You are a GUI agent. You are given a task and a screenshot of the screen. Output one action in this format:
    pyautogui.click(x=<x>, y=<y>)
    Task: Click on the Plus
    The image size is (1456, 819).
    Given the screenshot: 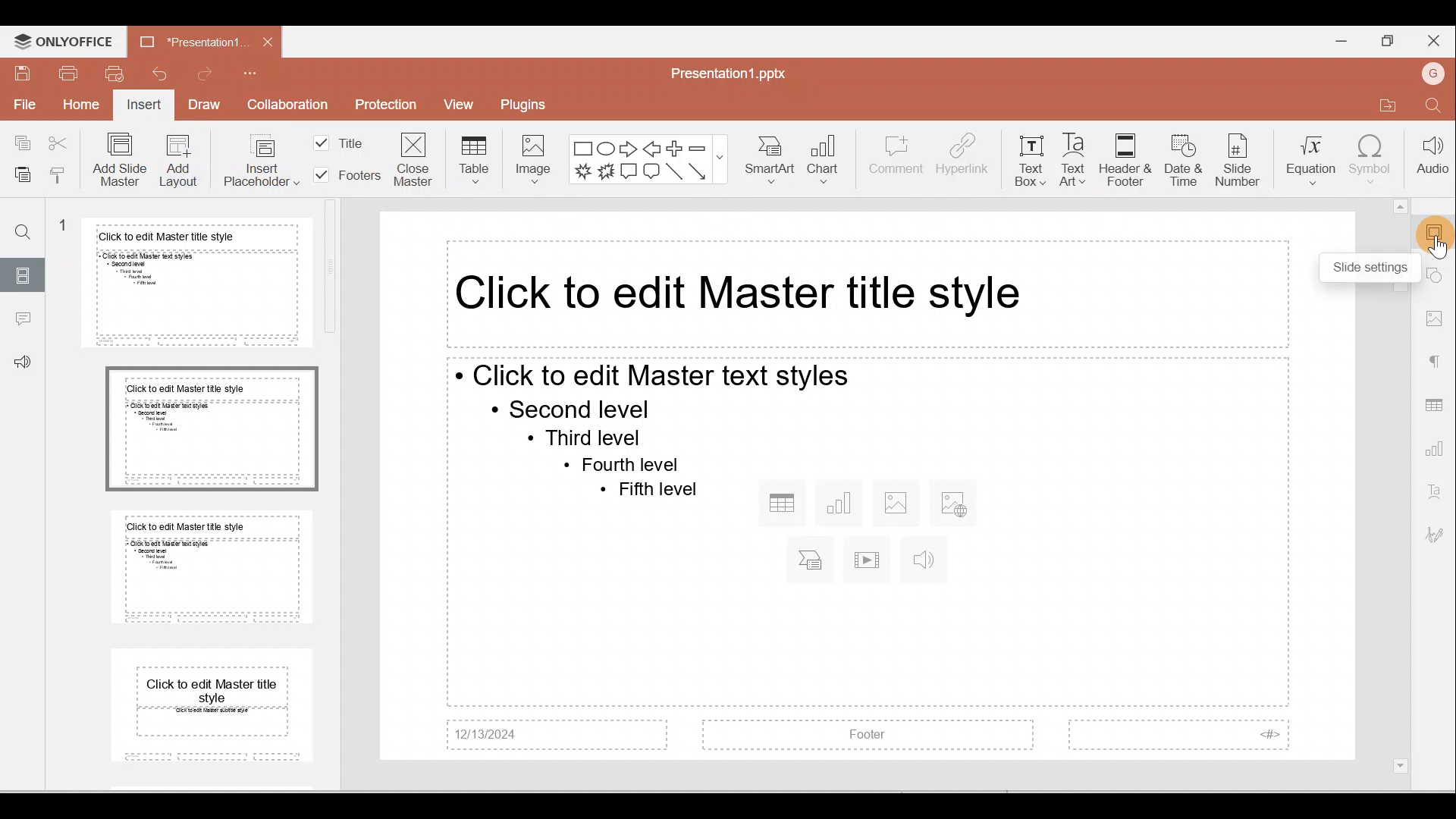 What is the action you would take?
    pyautogui.click(x=675, y=147)
    